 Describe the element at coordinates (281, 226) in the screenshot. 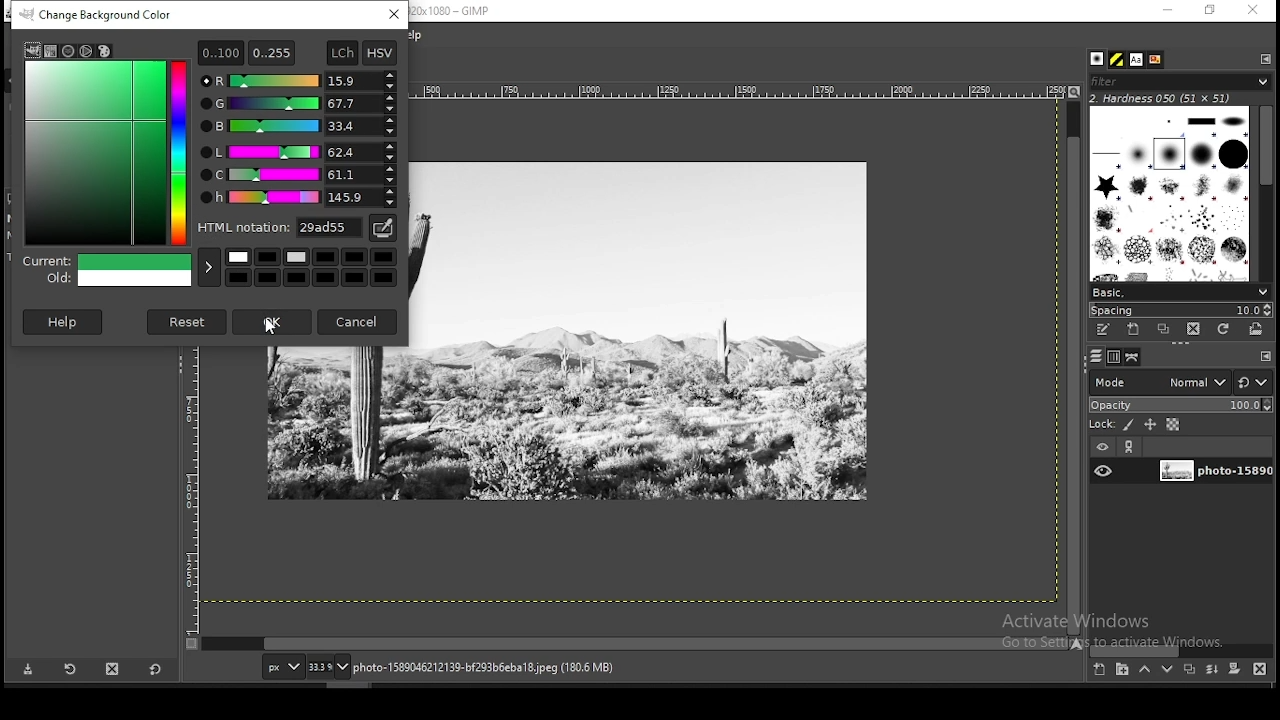

I see `html notation` at that location.